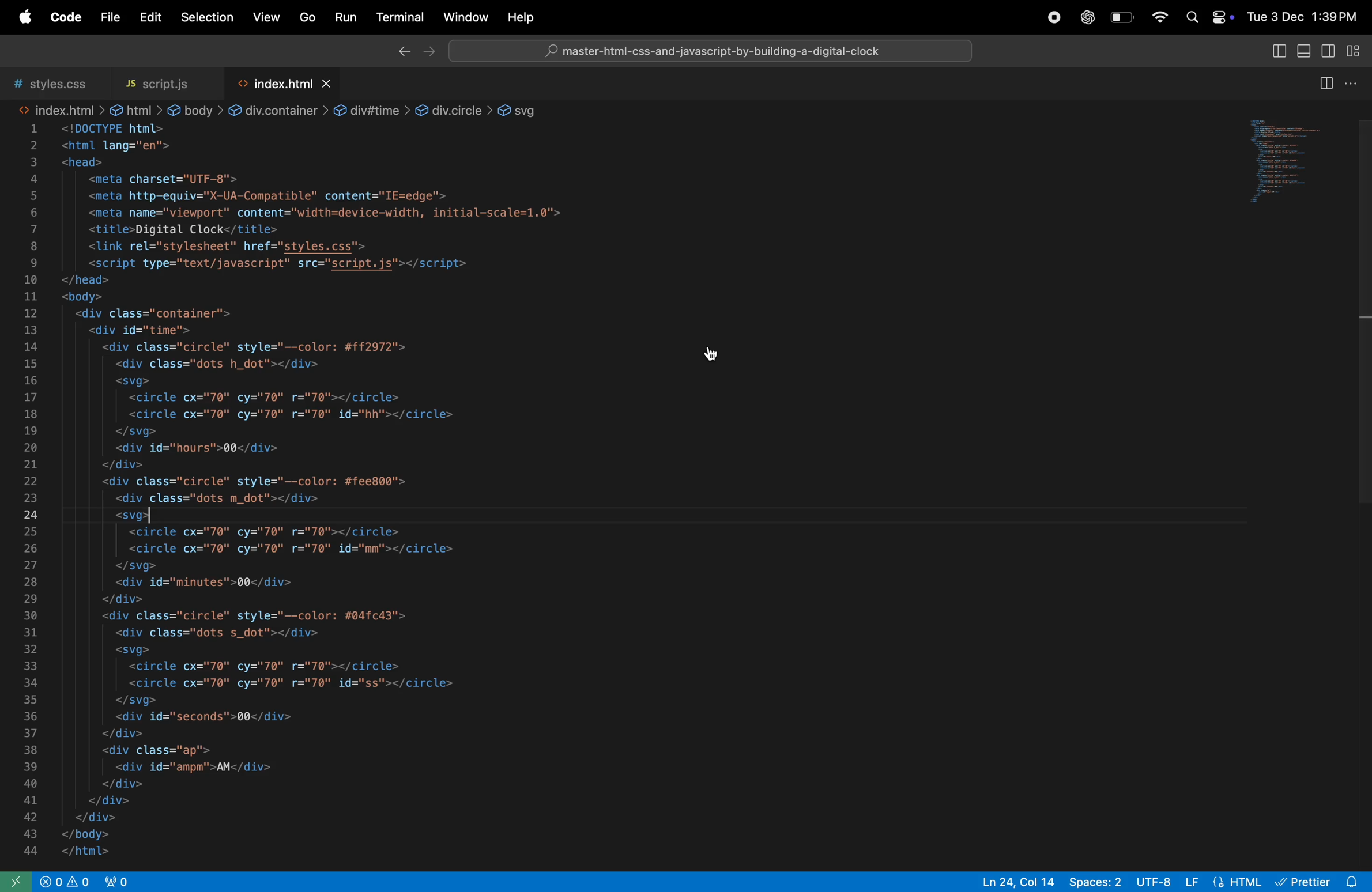  I want to click on open remote window, so click(18, 882).